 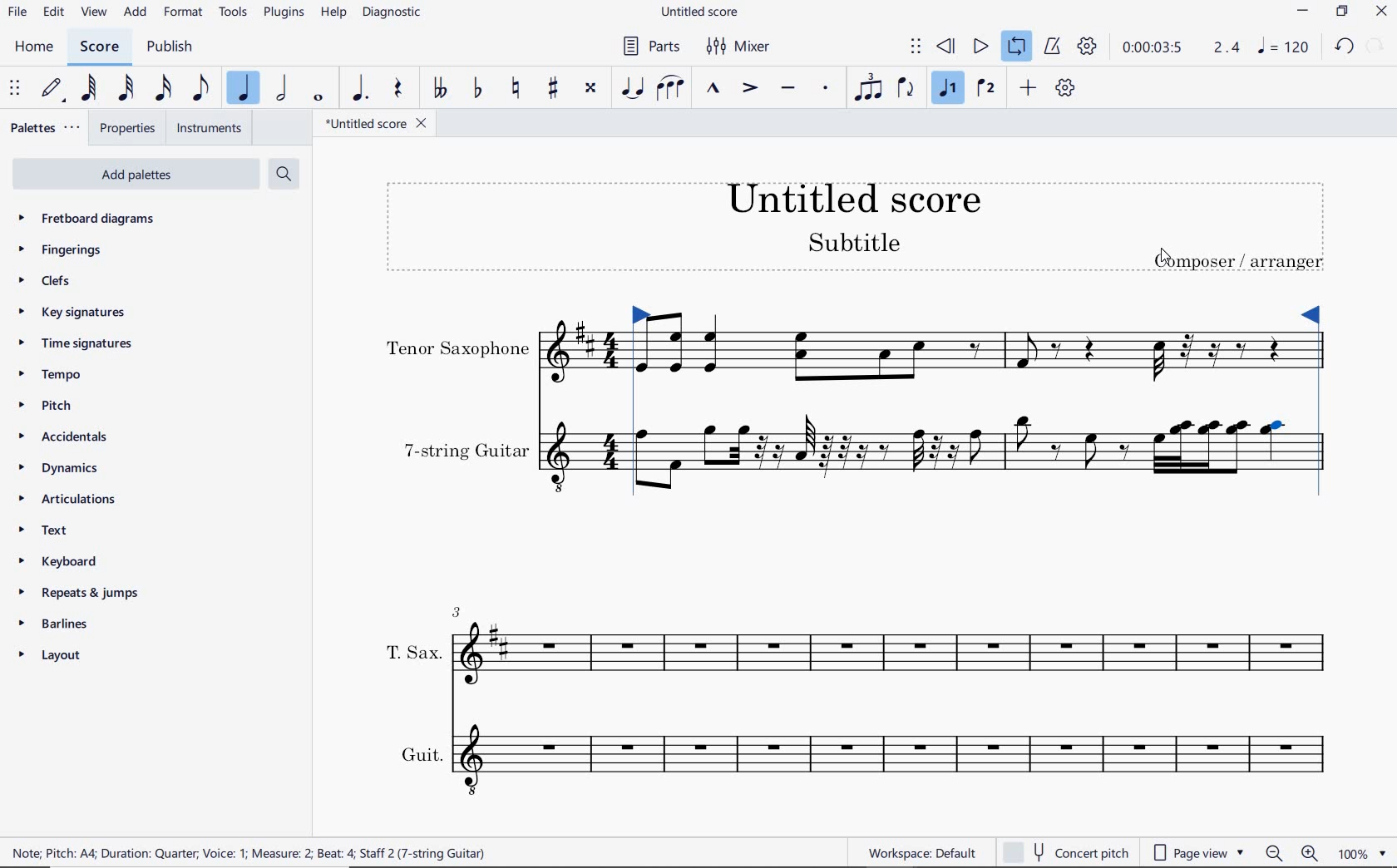 What do you see at coordinates (669, 89) in the screenshot?
I see `SLUR` at bounding box center [669, 89].